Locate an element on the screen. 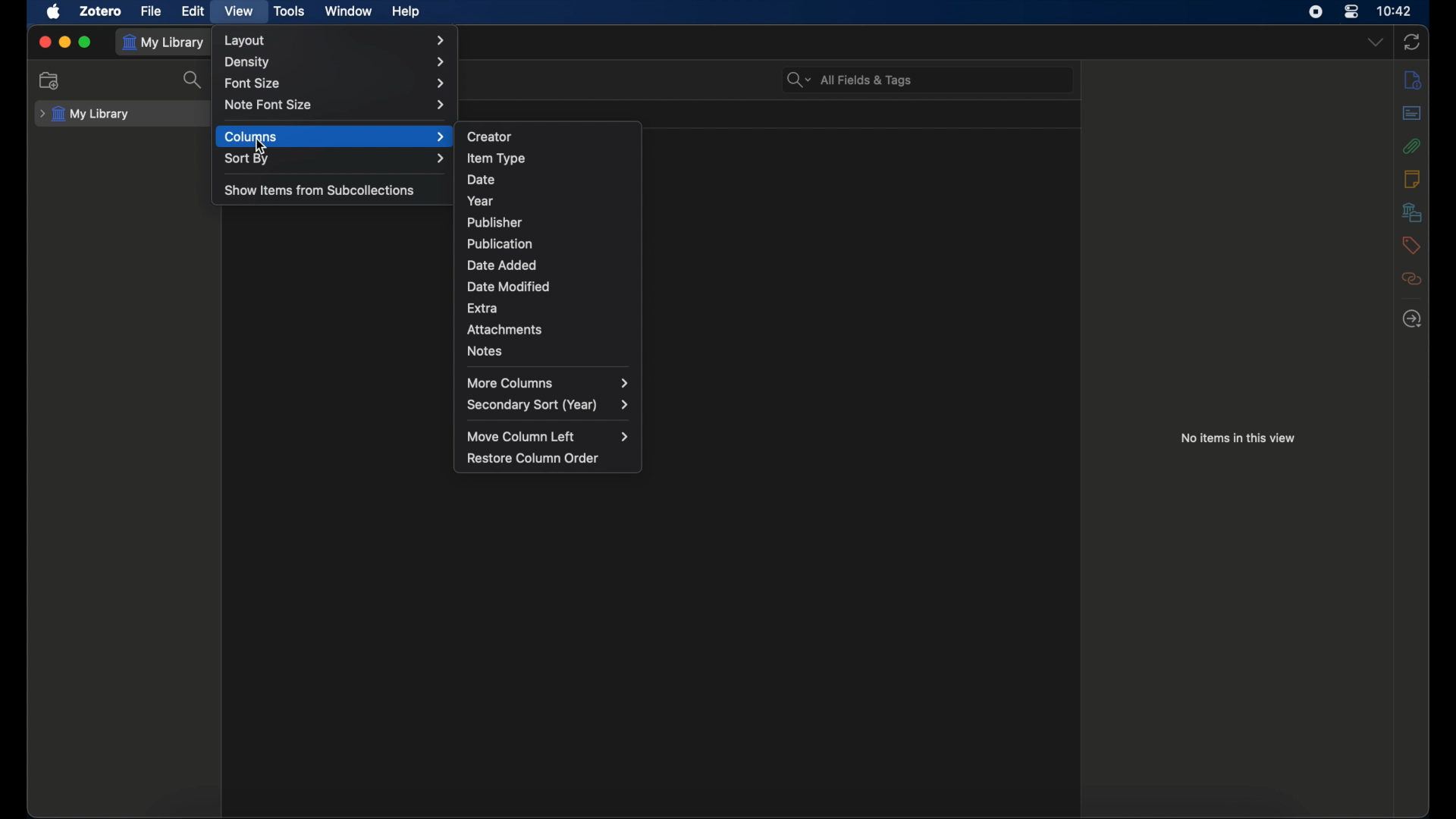  help is located at coordinates (406, 12).